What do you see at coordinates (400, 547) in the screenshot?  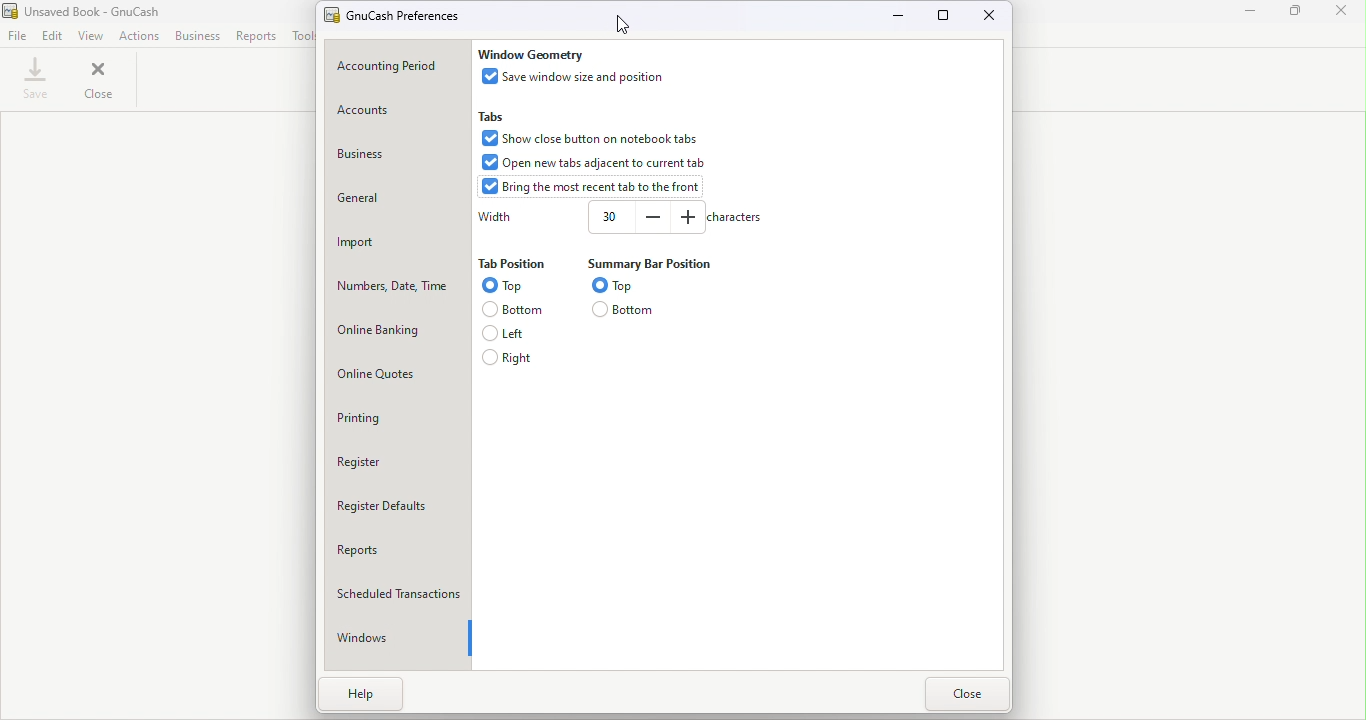 I see `Reports` at bounding box center [400, 547].